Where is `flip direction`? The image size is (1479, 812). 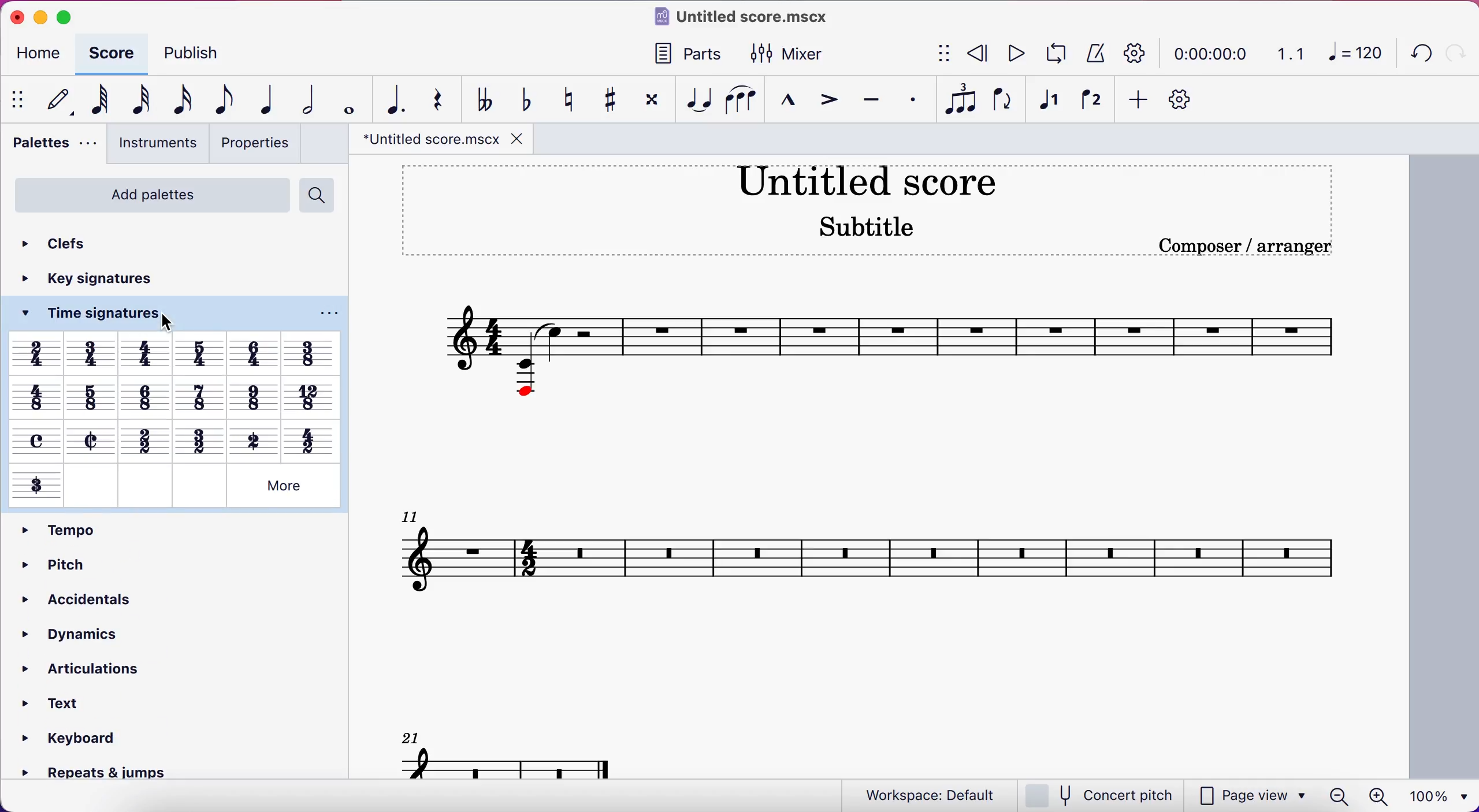
flip direction is located at coordinates (1004, 99).